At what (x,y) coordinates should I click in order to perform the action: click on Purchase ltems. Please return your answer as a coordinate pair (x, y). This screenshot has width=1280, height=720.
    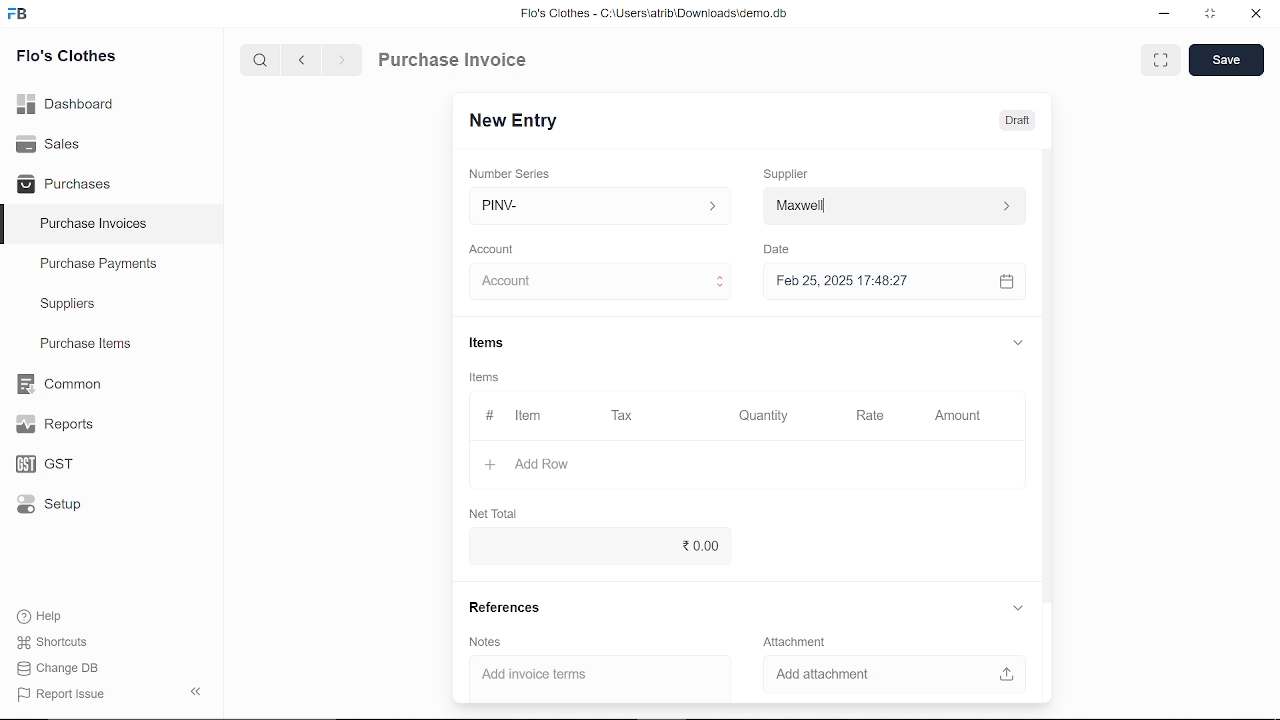
    Looking at the image, I should click on (83, 345).